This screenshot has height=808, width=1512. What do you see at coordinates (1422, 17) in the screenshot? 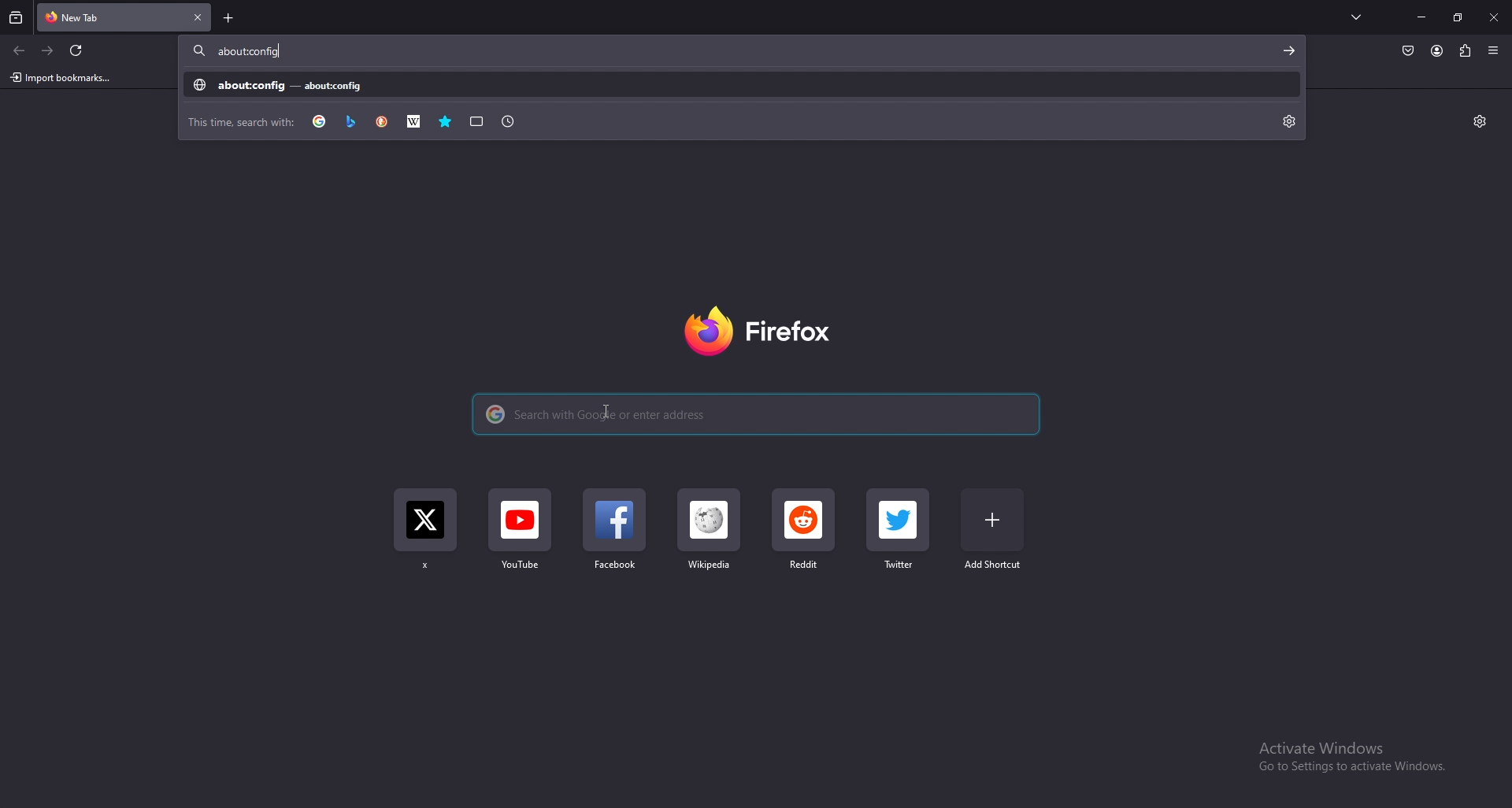
I see `minimize` at bounding box center [1422, 17].